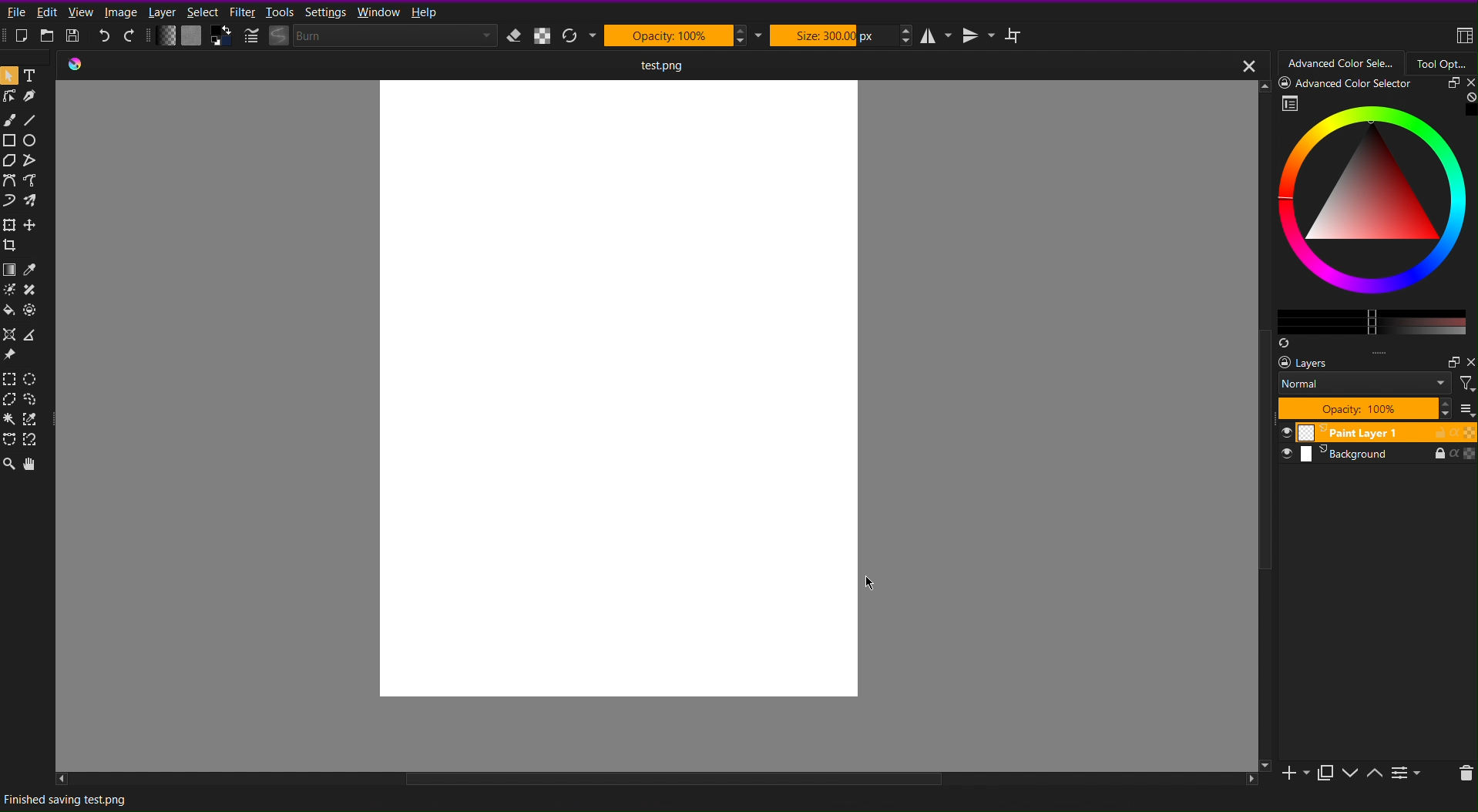 This screenshot has height=812, width=1478. What do you see at coordinates (1015, 35) in the screenshot?
I see `Wraparound` at bounding box center [1015, 35].